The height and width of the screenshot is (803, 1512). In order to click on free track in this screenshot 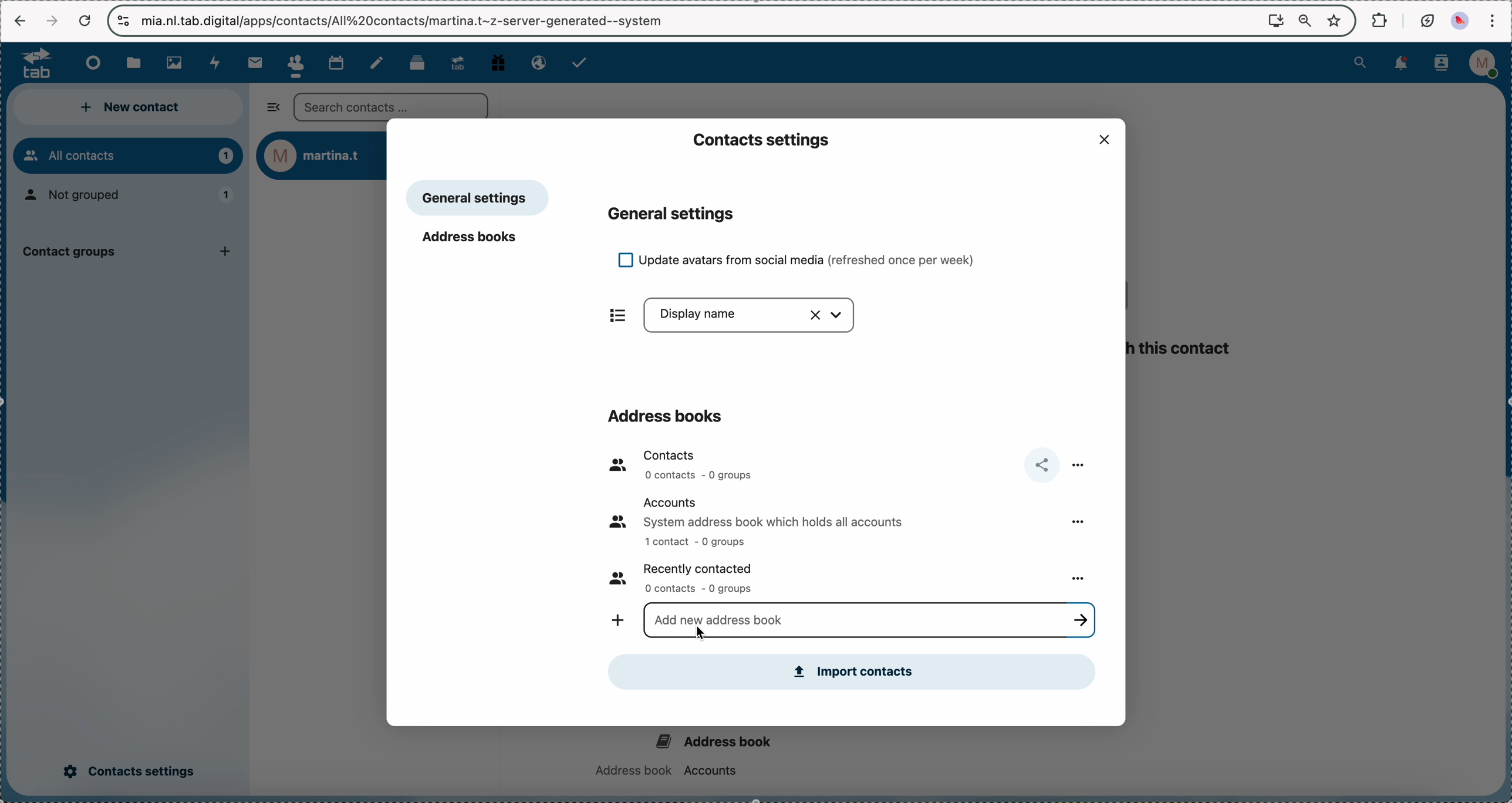, I will do `click(497, 61)`.